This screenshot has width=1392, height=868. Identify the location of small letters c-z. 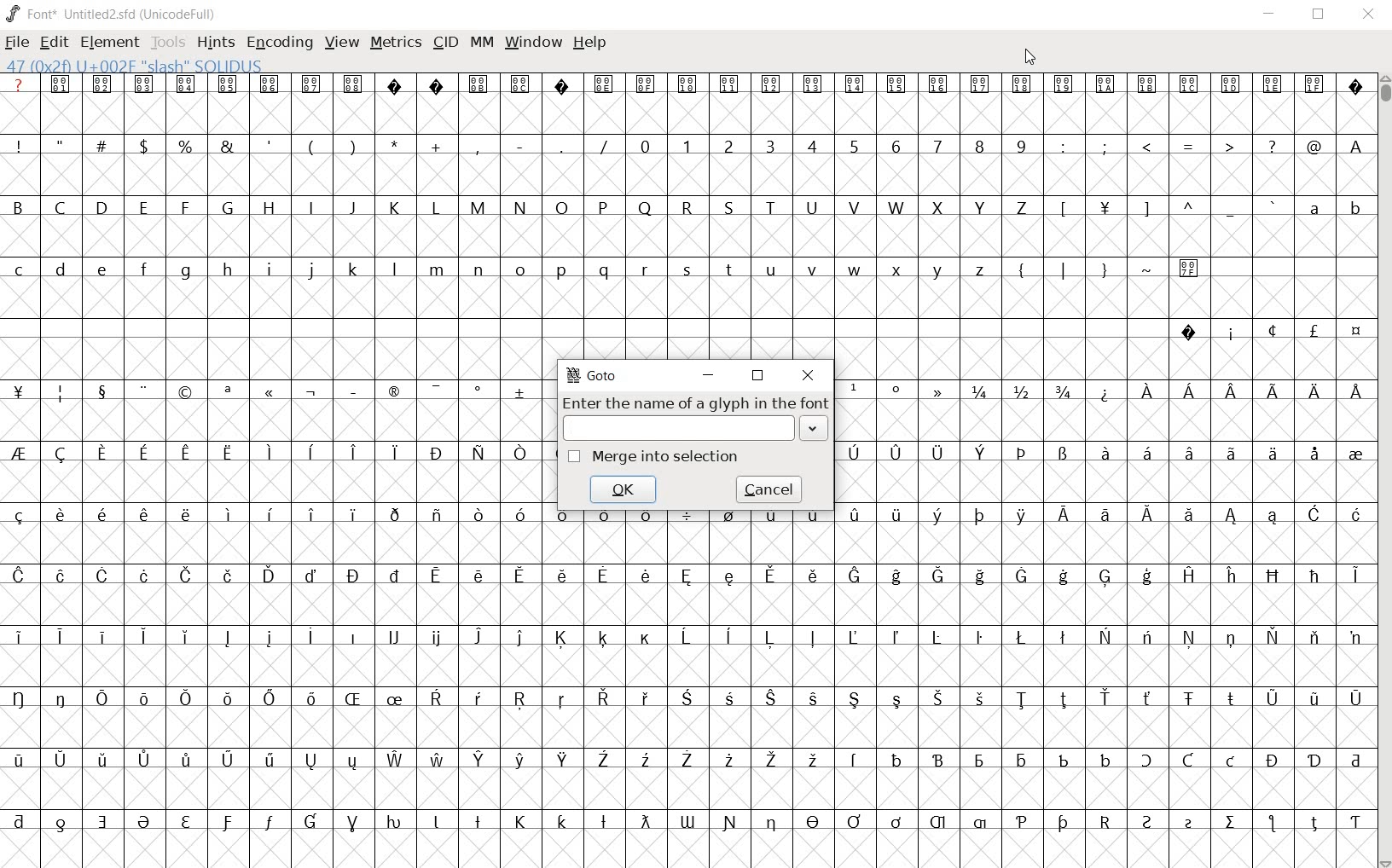
(506, 268).